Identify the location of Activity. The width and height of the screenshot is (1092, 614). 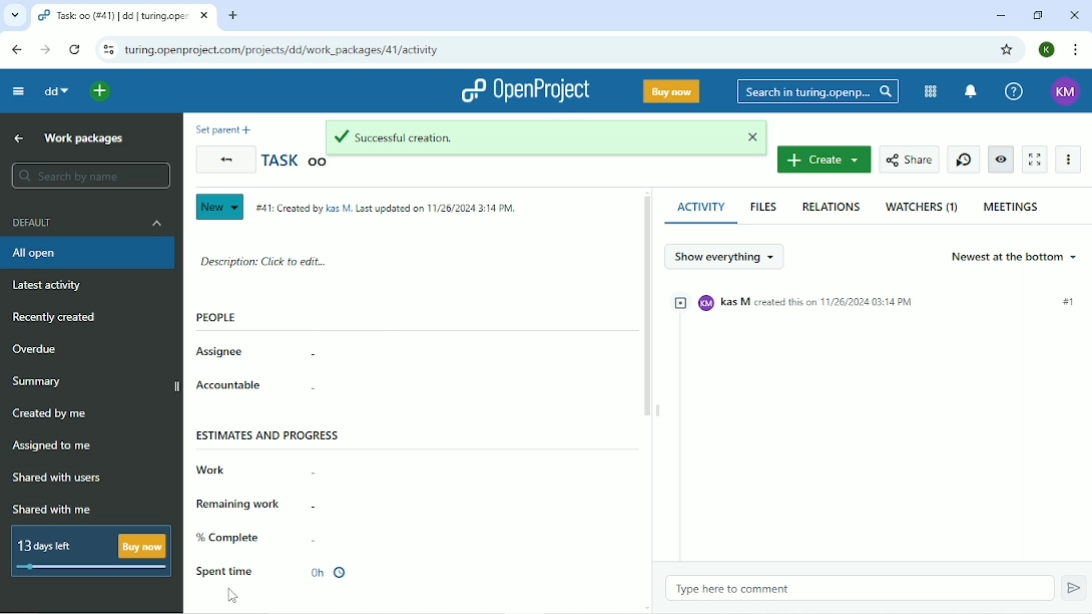
(700, 208).